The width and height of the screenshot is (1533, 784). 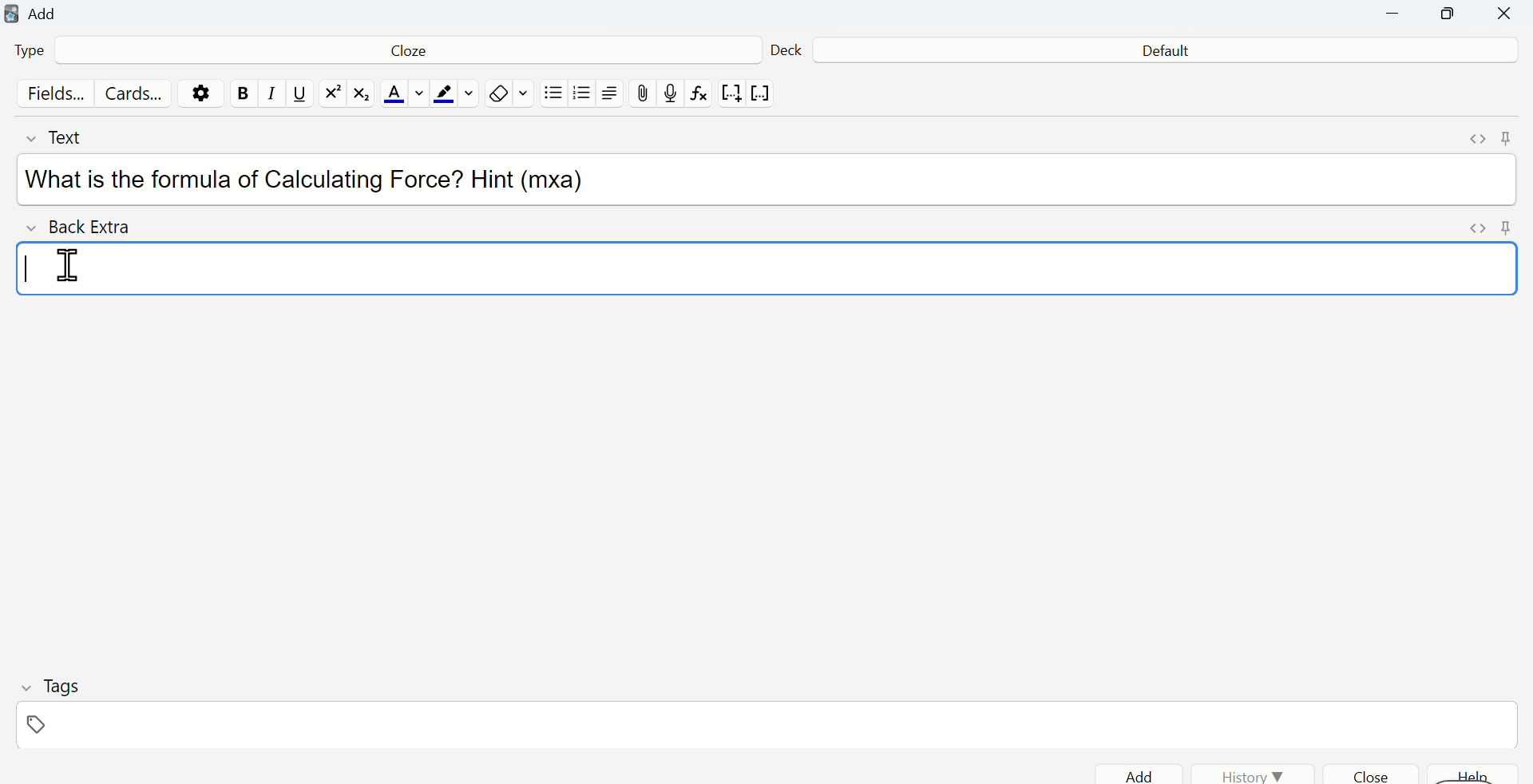 What do you see at coordinates (731, 96) in the screenshot?
I see `notation` at bounding box center [731, 96].